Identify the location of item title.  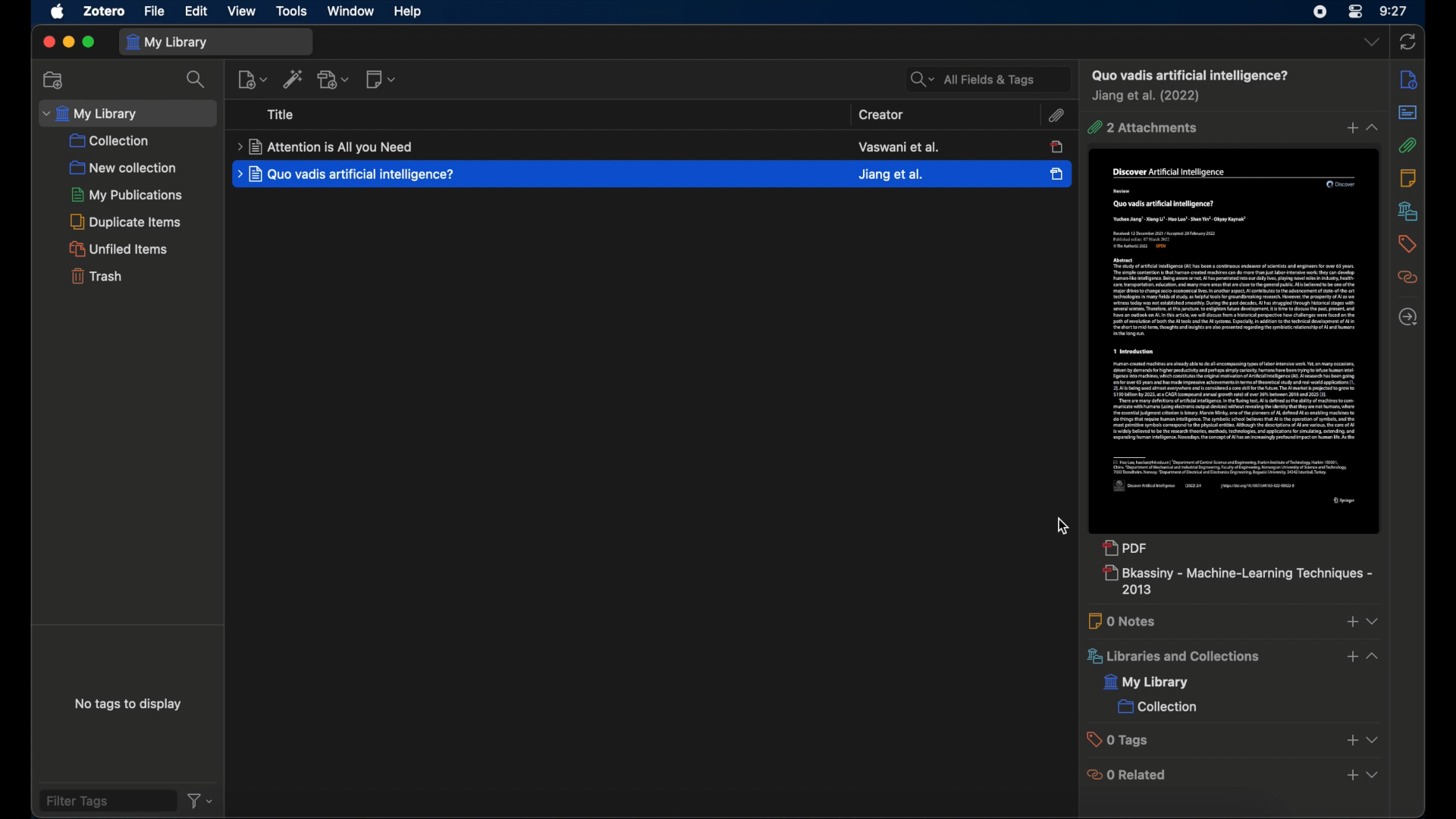
(324, 149).